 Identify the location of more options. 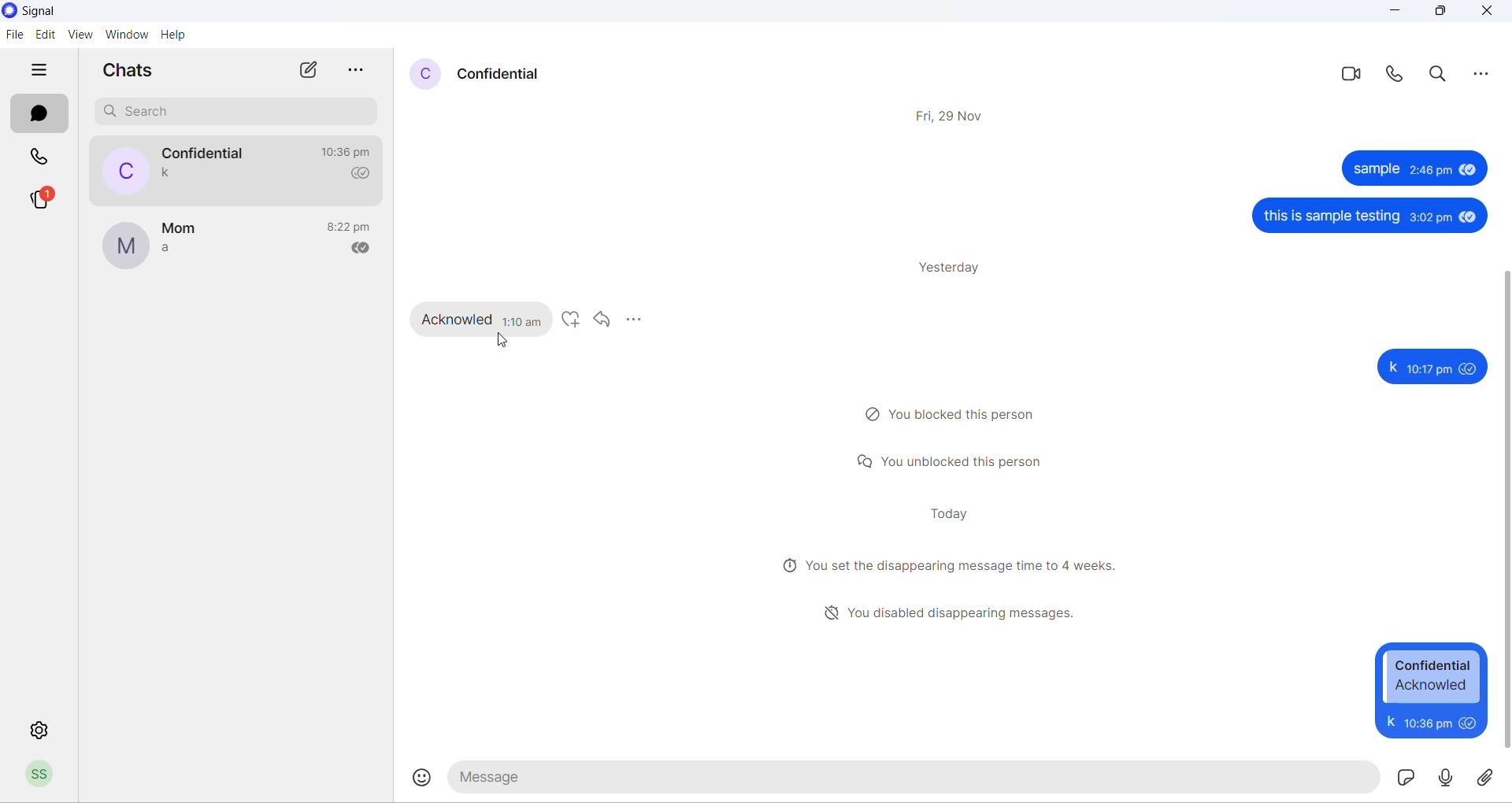
(1484, 72).